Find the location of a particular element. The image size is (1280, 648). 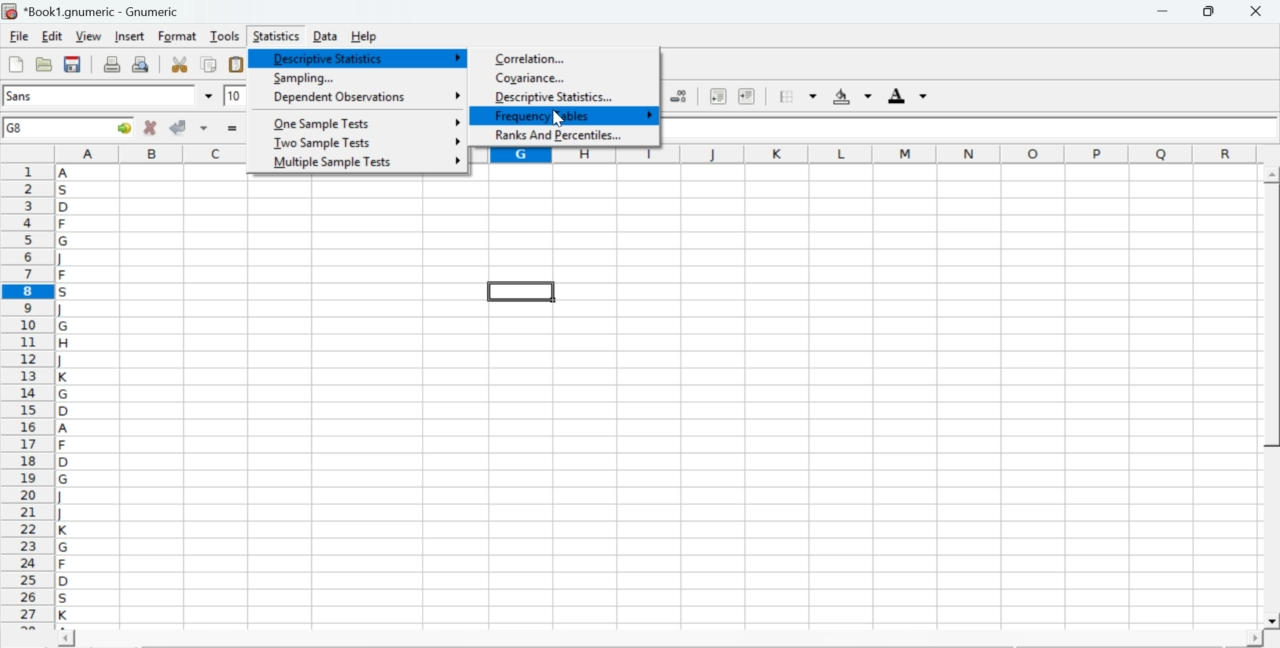

decrease indent is located at coordinates (718, 95).